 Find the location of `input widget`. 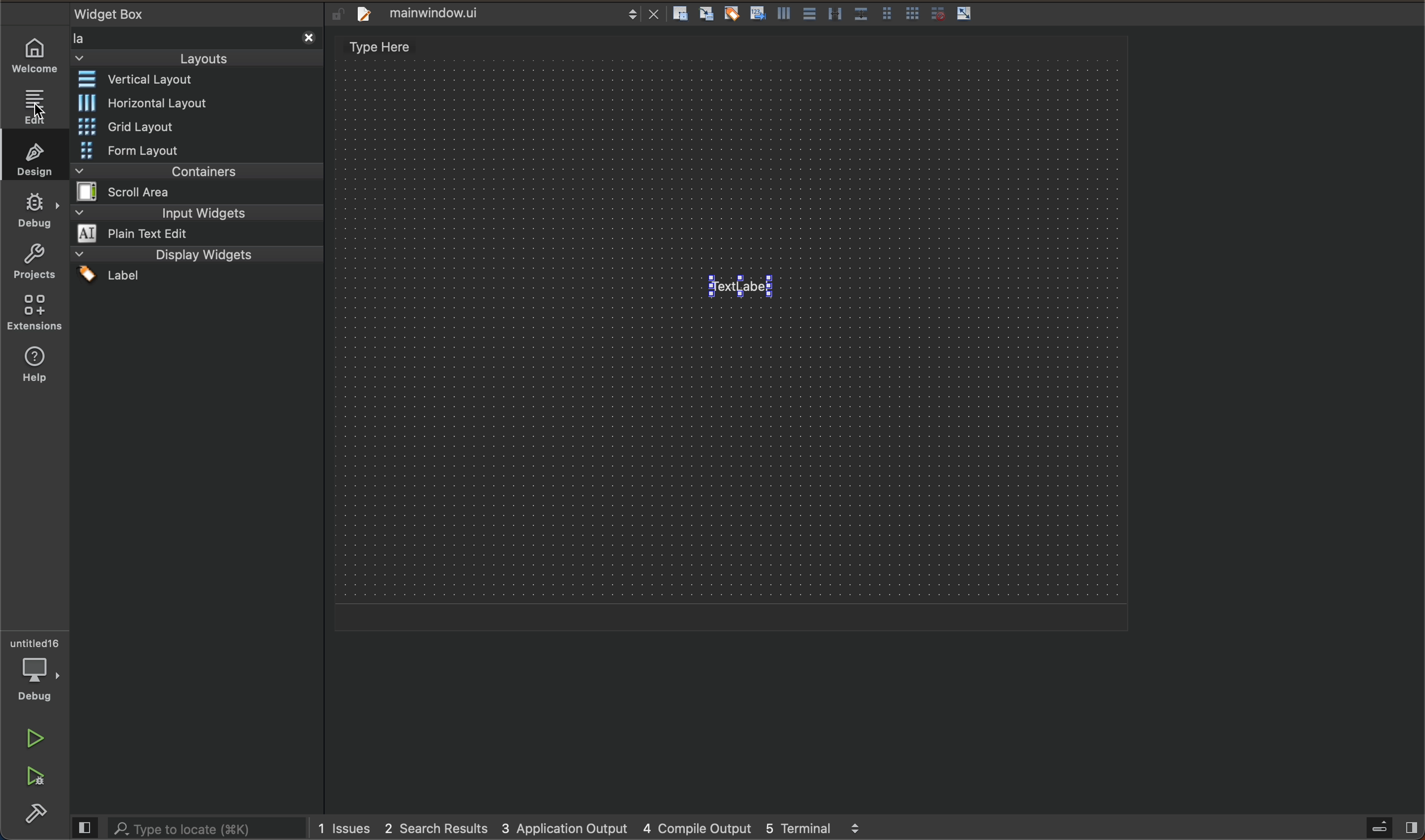

input widget is located at coordinates (188, 212).